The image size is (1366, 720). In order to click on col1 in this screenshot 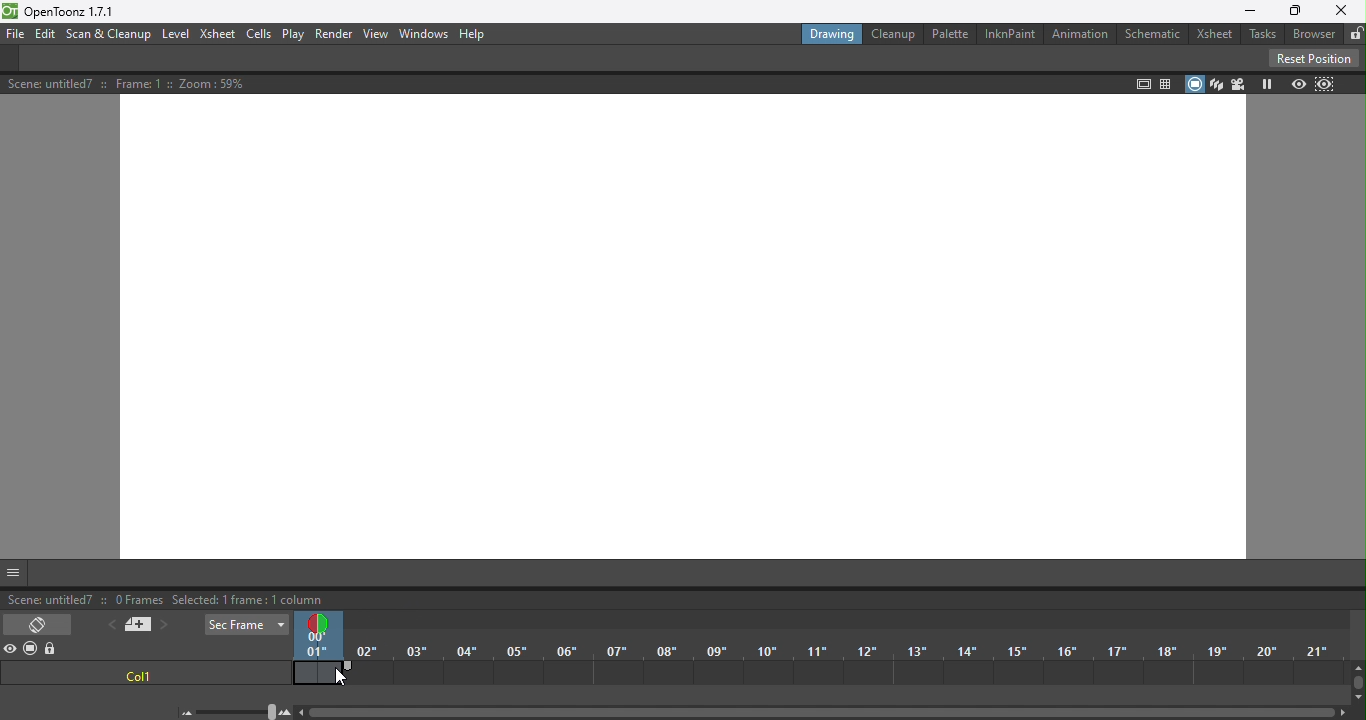, I will do `click(136, 677)`.